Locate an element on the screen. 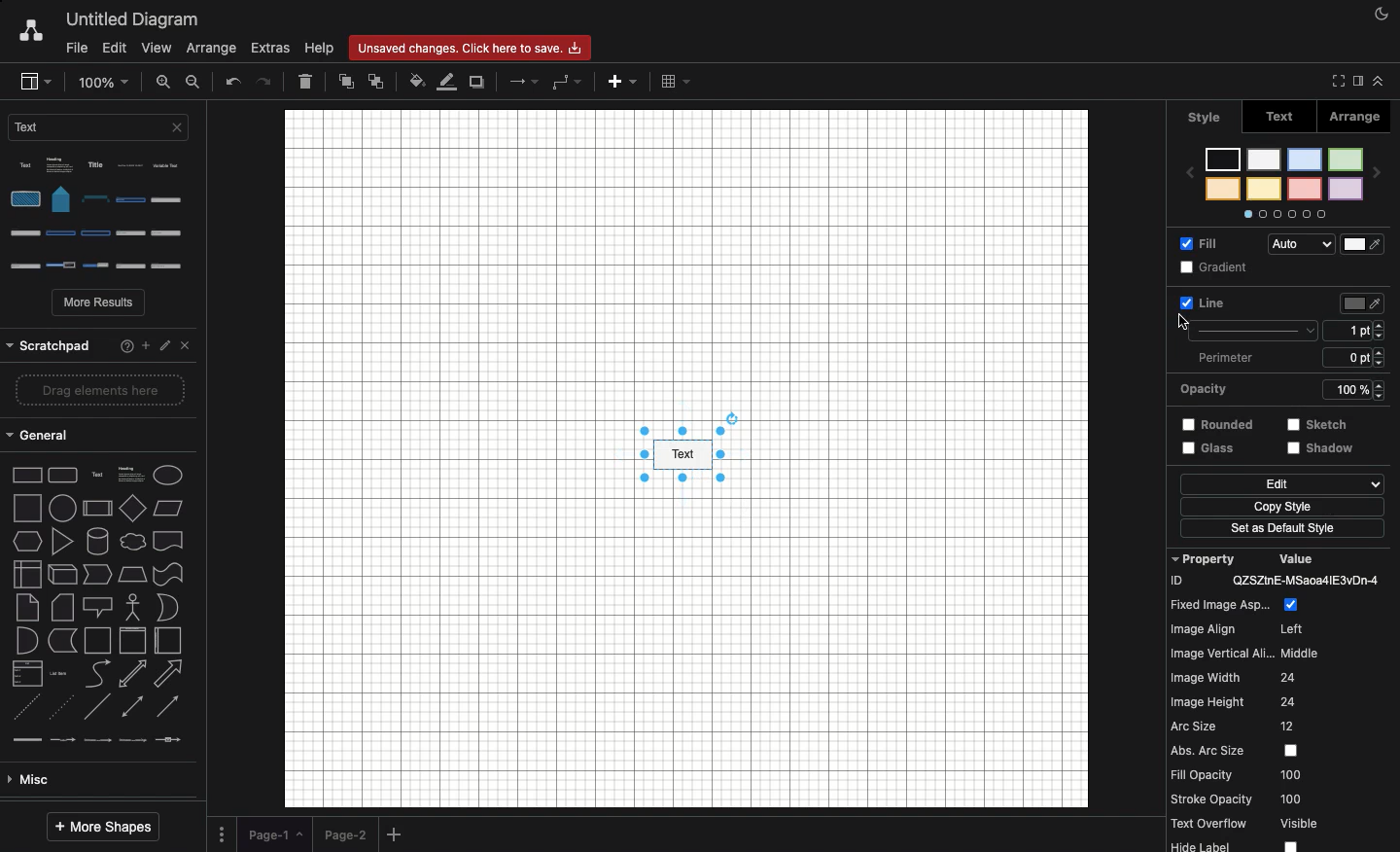 The image size is (1400, 852). shadow is located at coordinates (1319, 454).